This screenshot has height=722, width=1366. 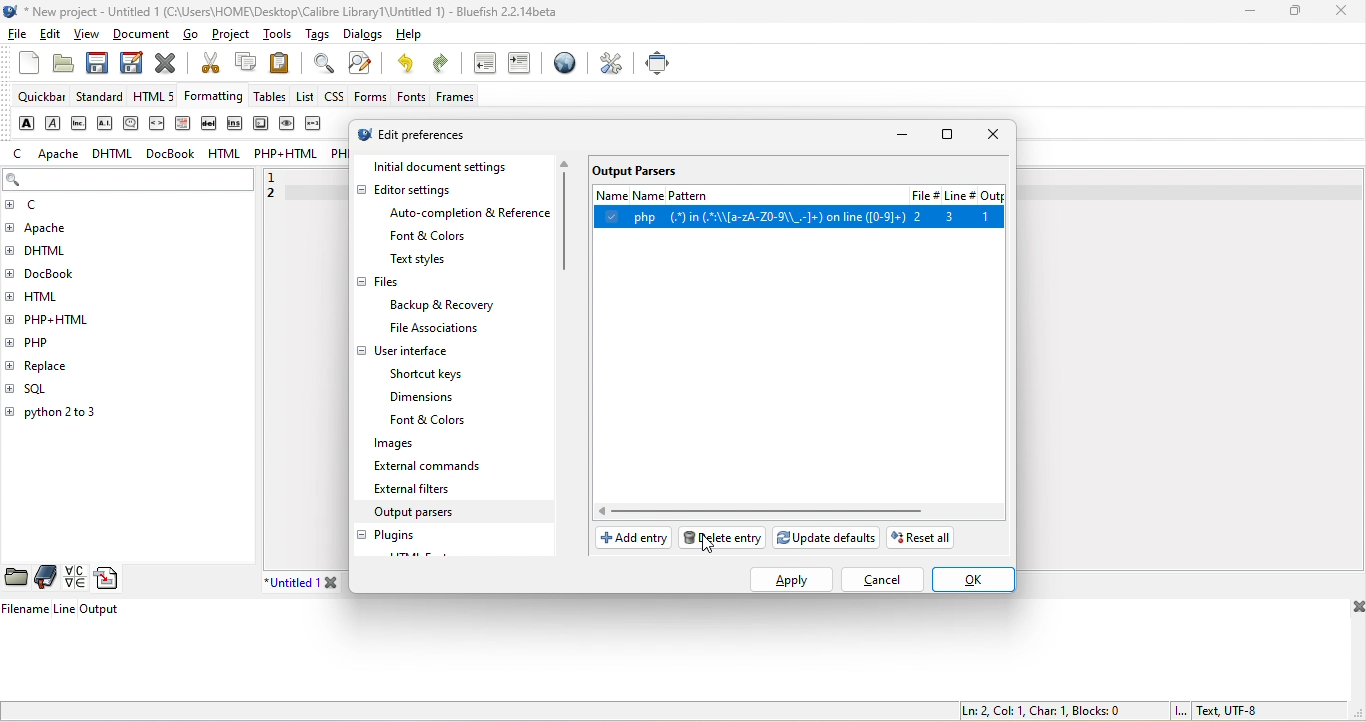 I want to click on images, so click(x=385, y=445).